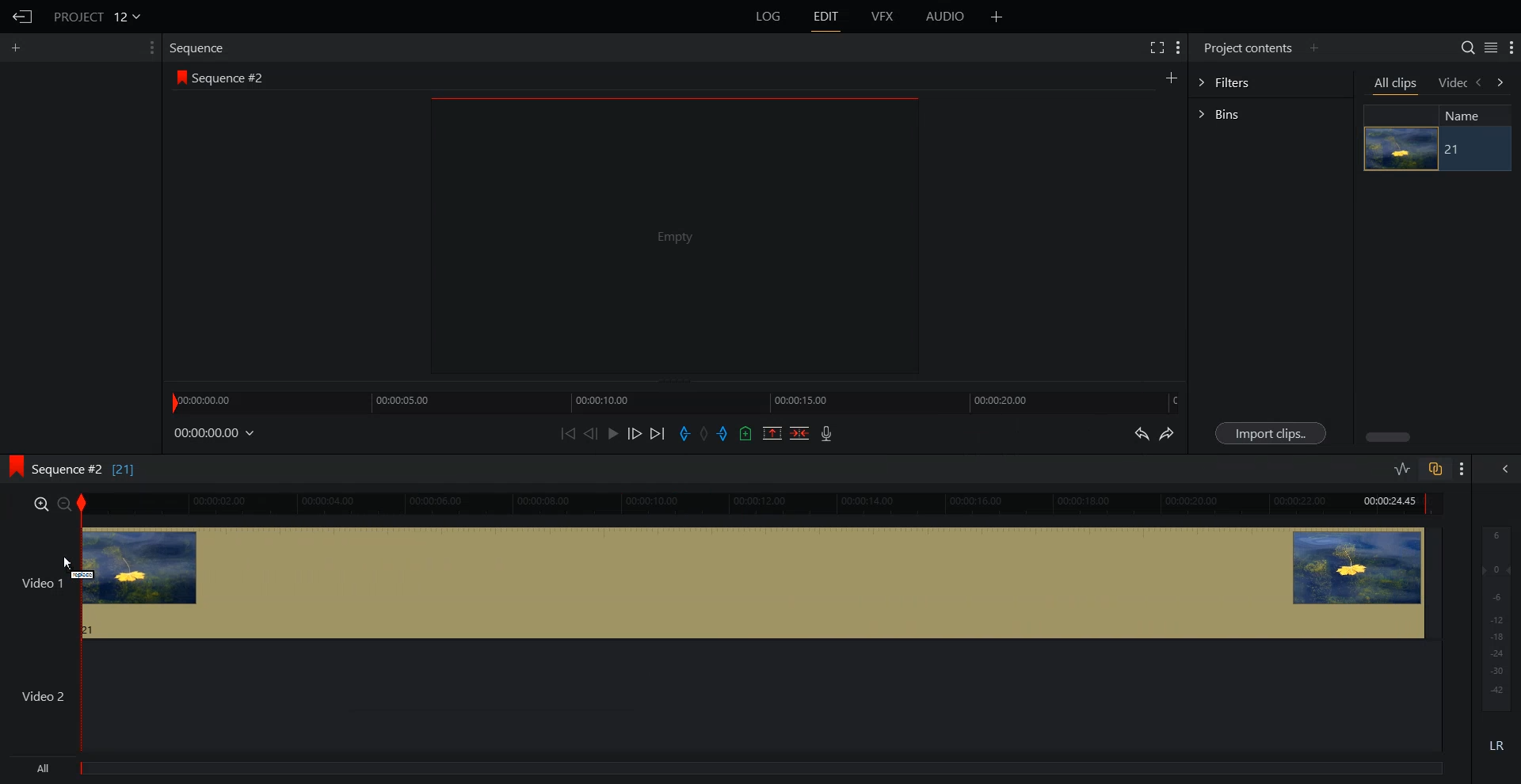 The width and height of the screenshot is (1521, 784). Describe the element at coordinates (828, 435) in the screenshot. I see `Record Video` at that location.